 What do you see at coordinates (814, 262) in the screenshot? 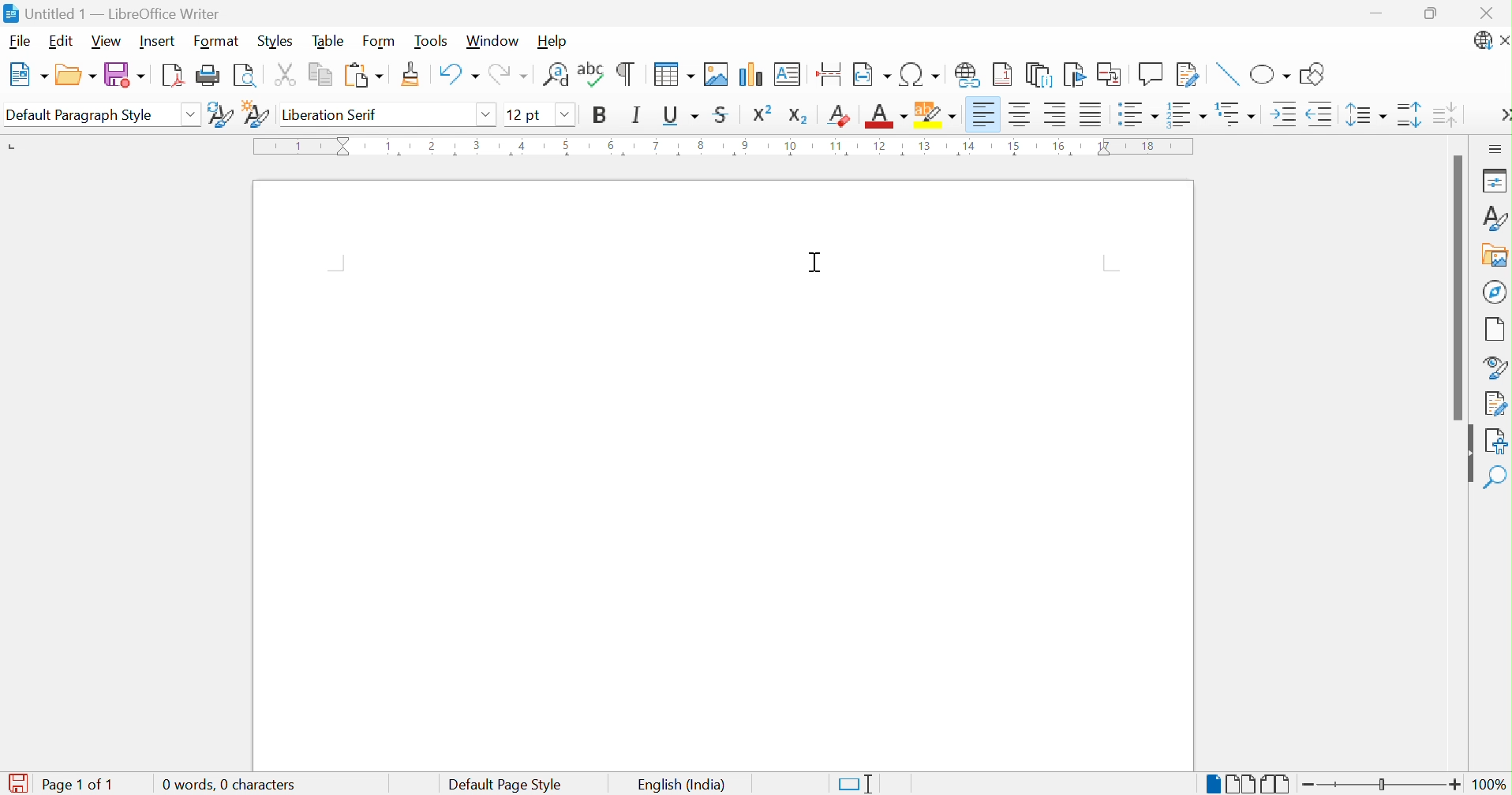
I see `Cursor` at bounding box center [814, 262].